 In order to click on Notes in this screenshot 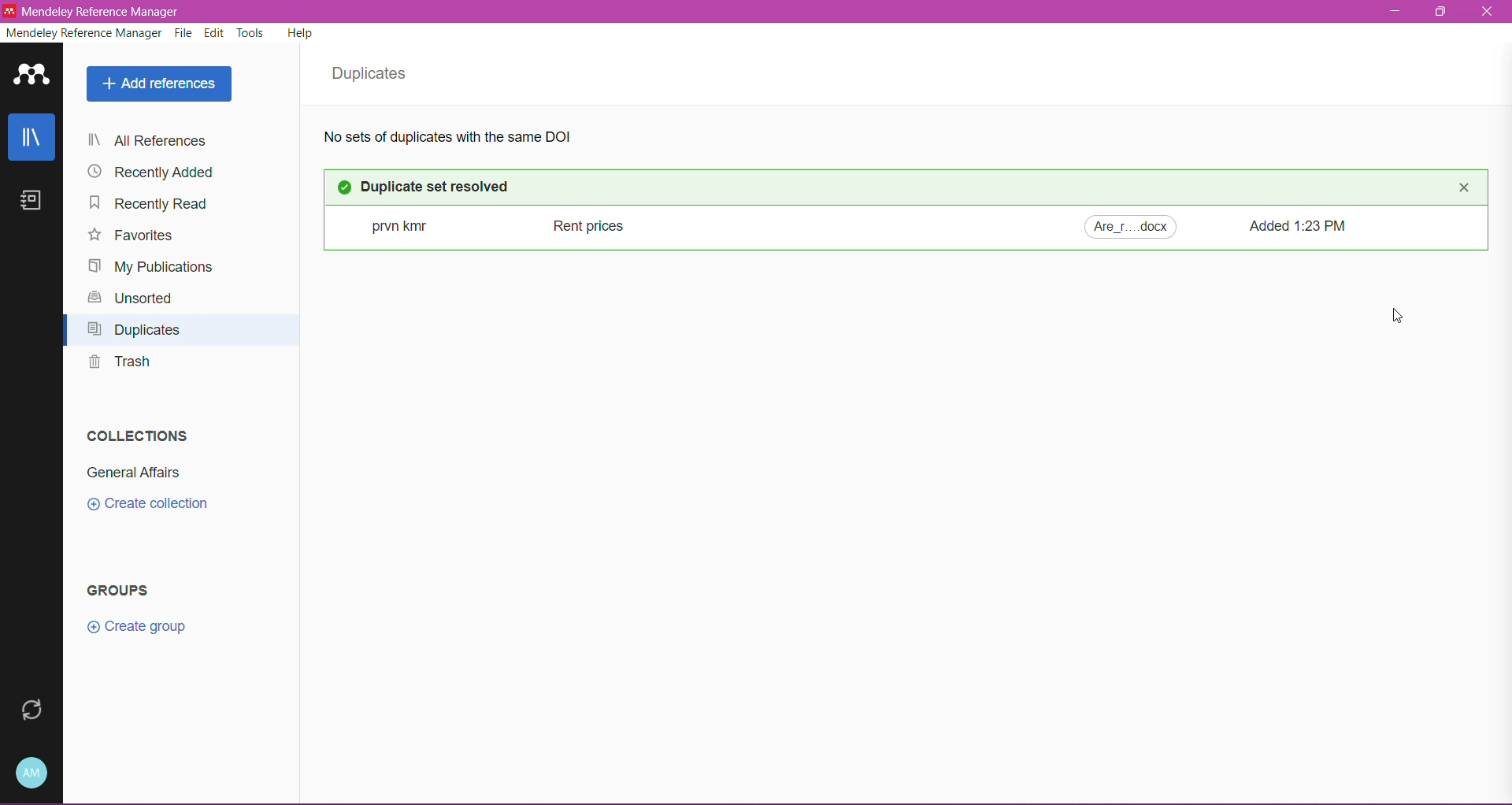, I will do `click(35, 202)`.